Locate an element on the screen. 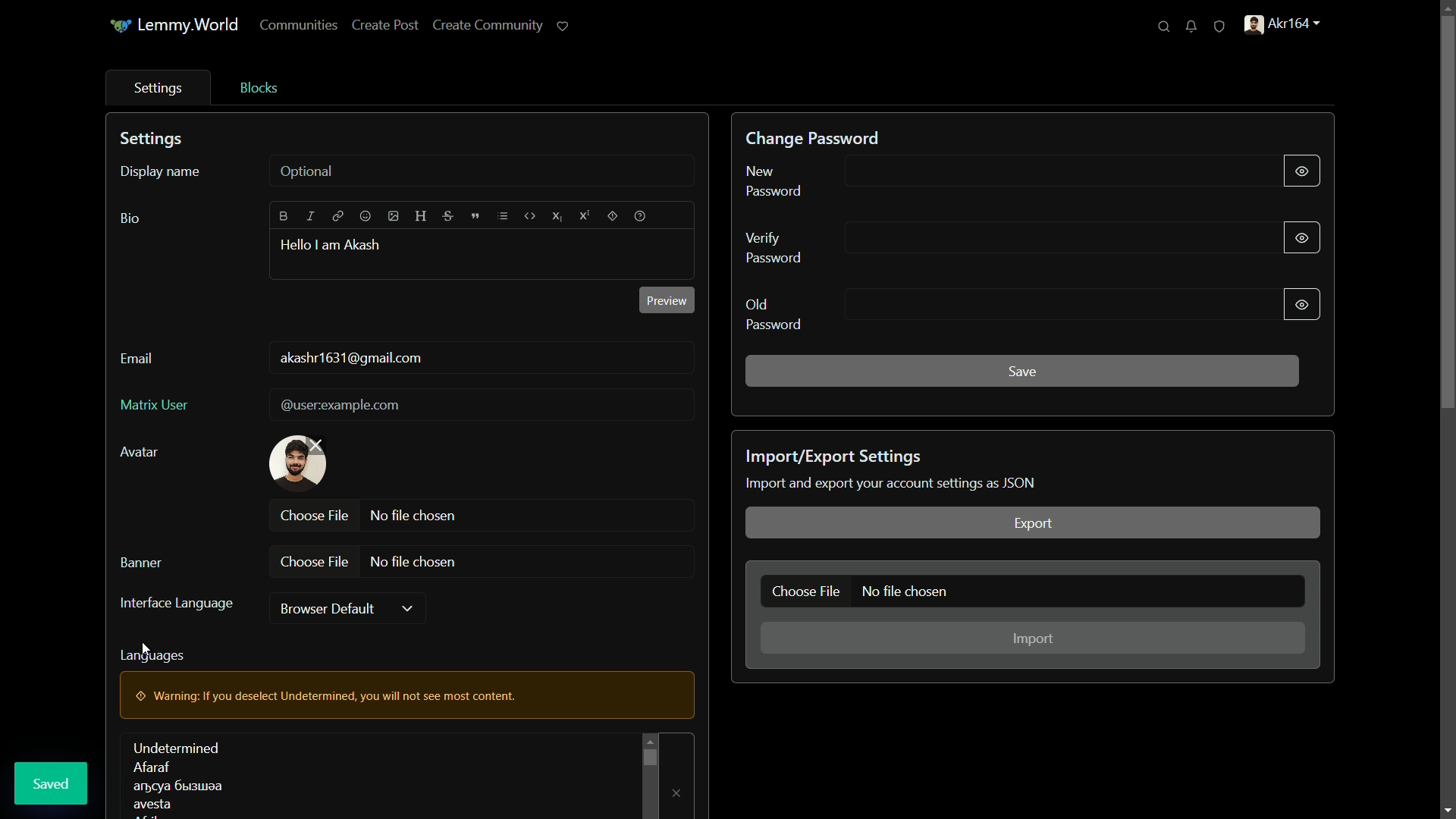  change password is located at coordinates (811, 139).